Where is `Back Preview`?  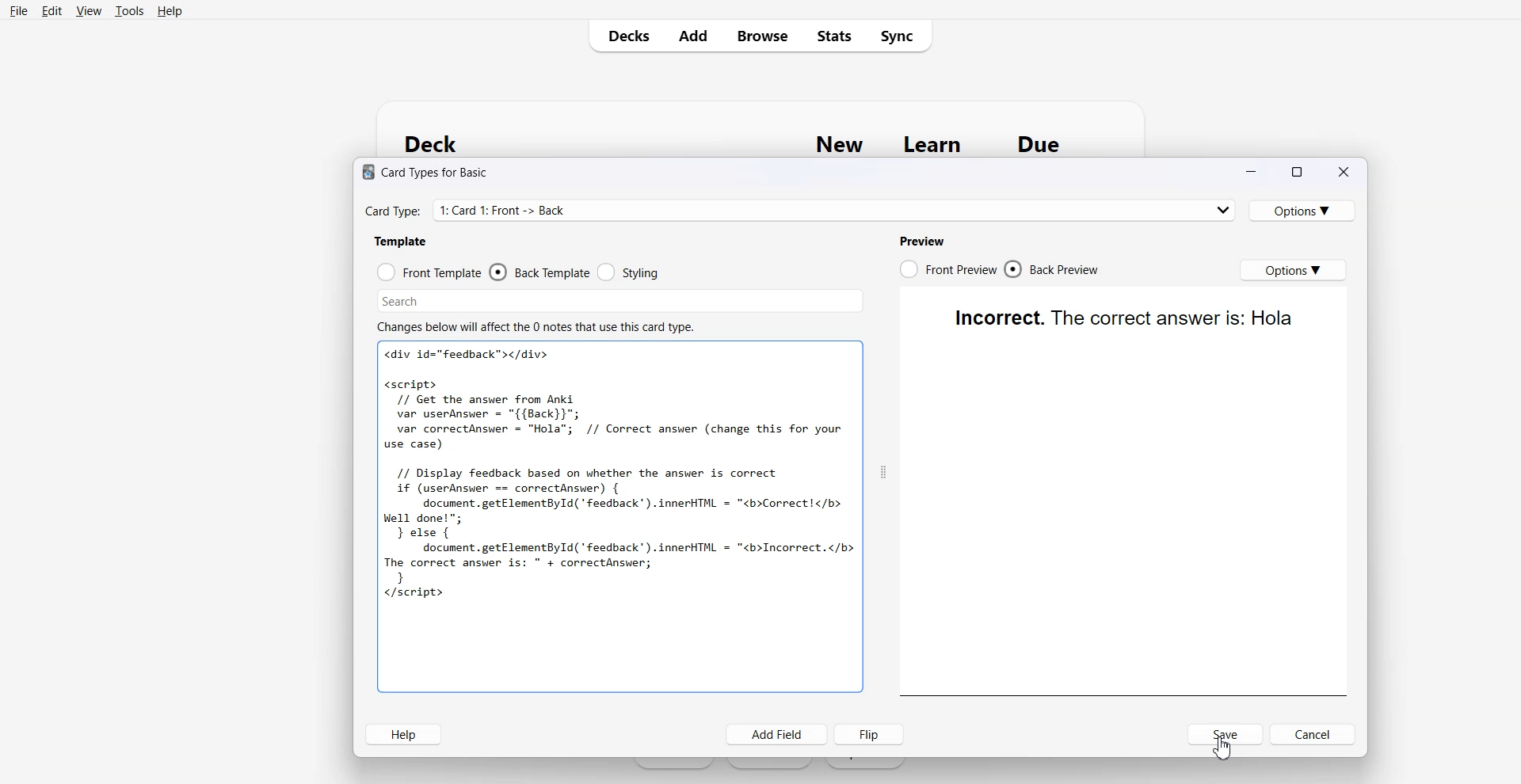 Back Preview is located at coordinates (1054, 266).